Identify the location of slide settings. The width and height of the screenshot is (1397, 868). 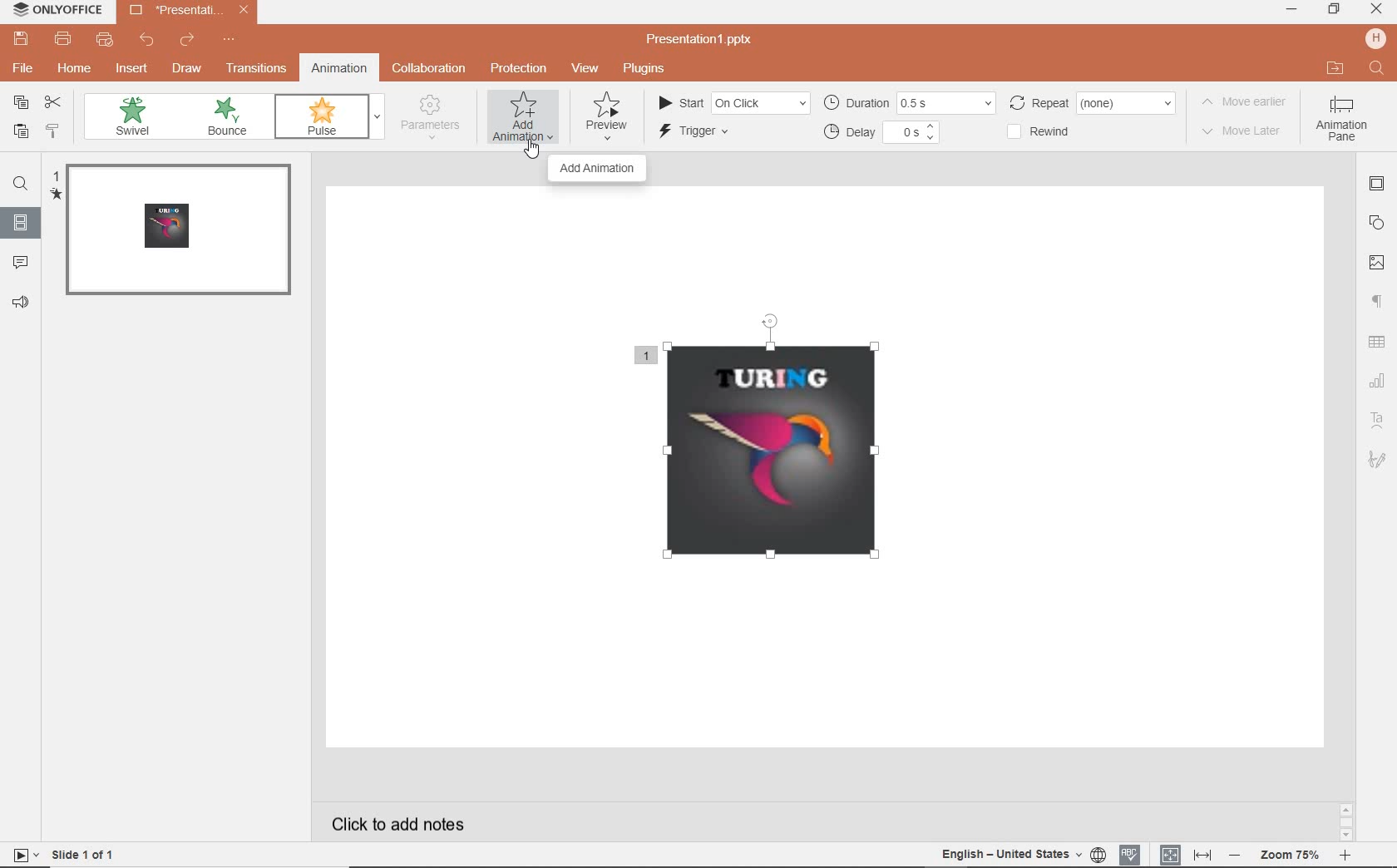
(1377, 184).